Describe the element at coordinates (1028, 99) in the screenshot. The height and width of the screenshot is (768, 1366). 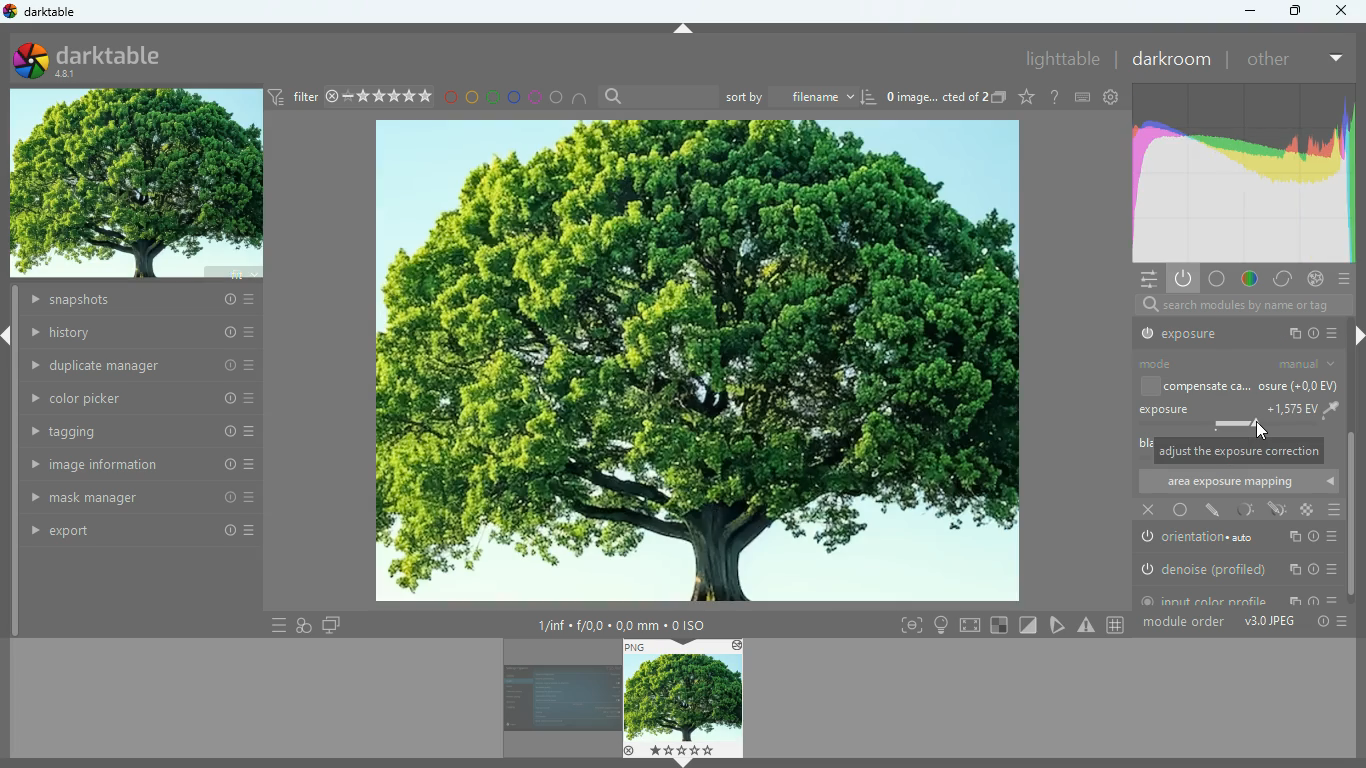
I see `favourite` at that location.